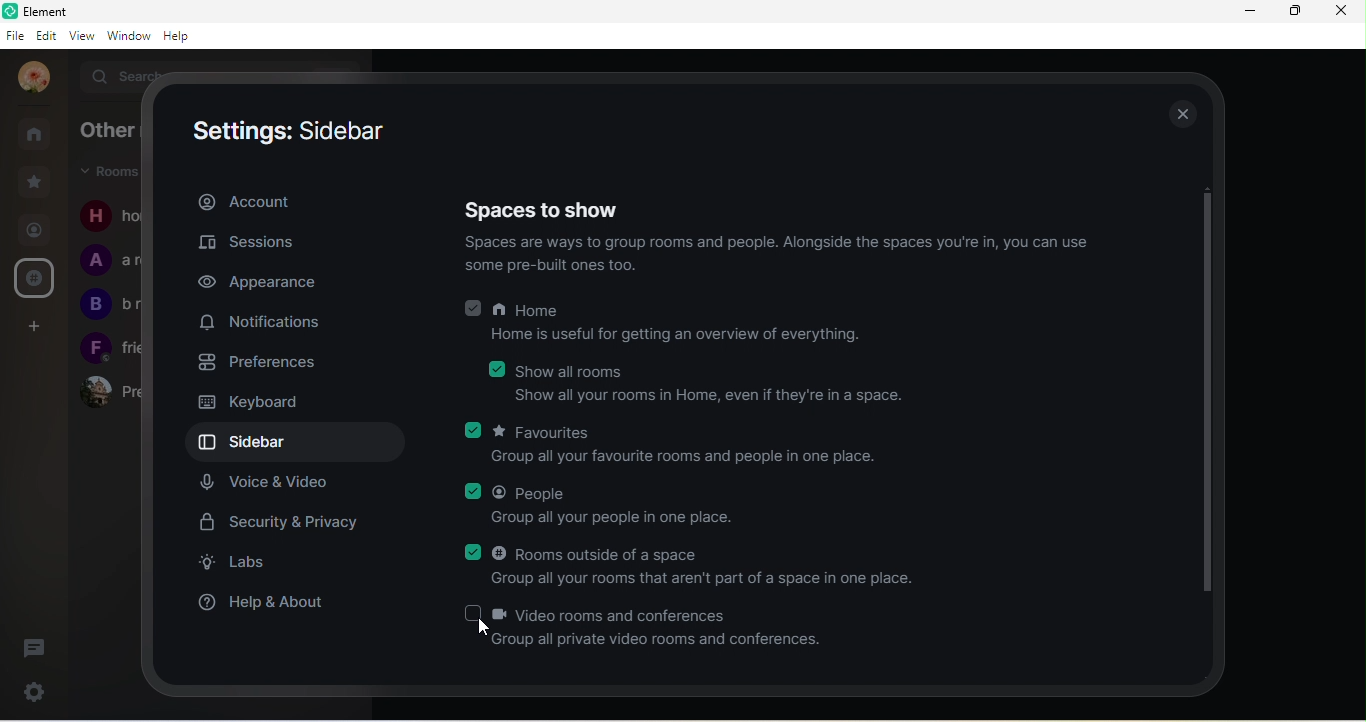  What do you see at coordinates (673, 325) in the screenshot?
I see `home` at bounding box center [673, 325].